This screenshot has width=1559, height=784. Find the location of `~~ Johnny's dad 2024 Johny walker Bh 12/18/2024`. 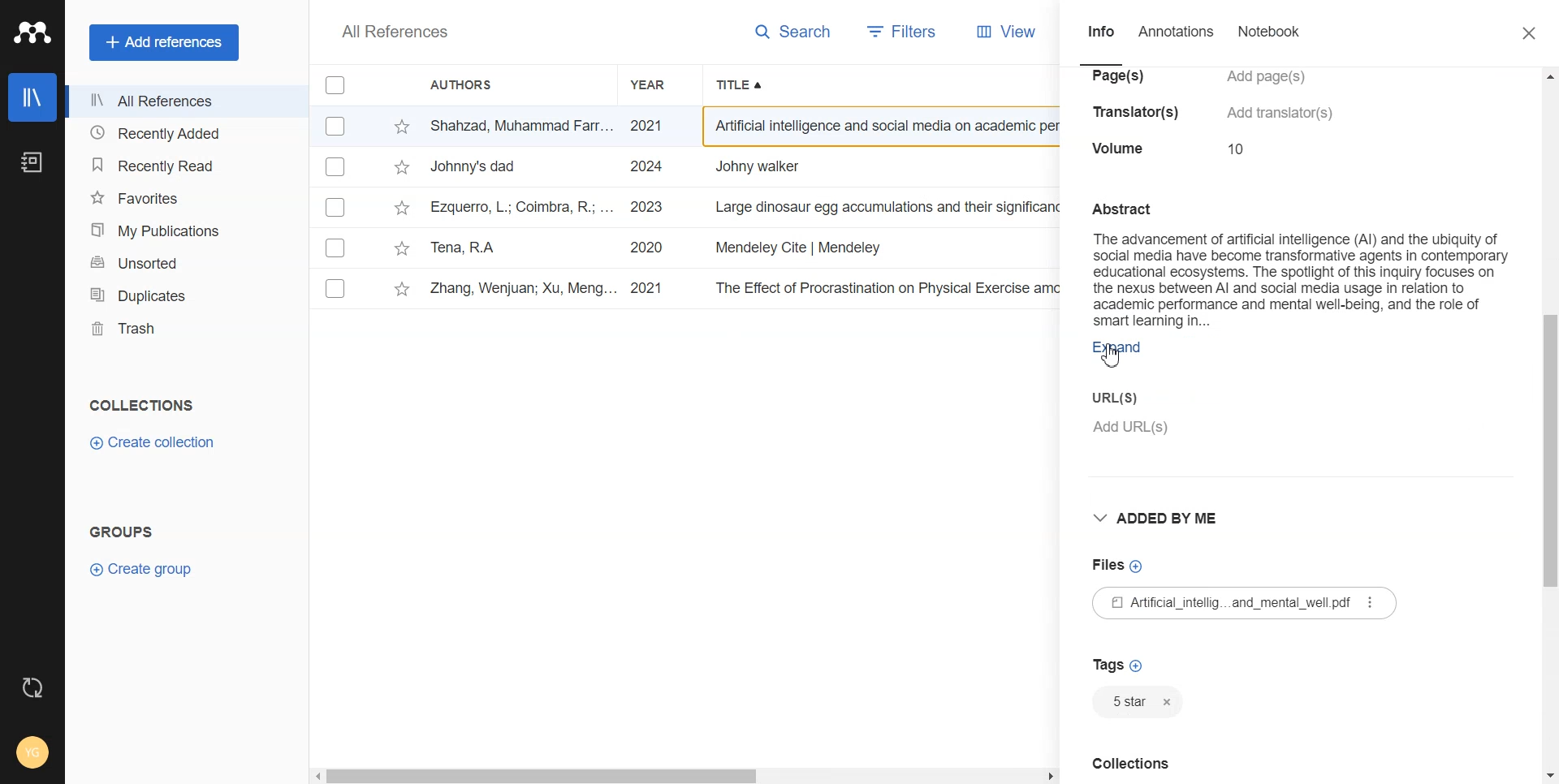

~~ Johnny's dad 2024 Johny walker Bh 12/18/2024 is located at coordinates (745, 166).